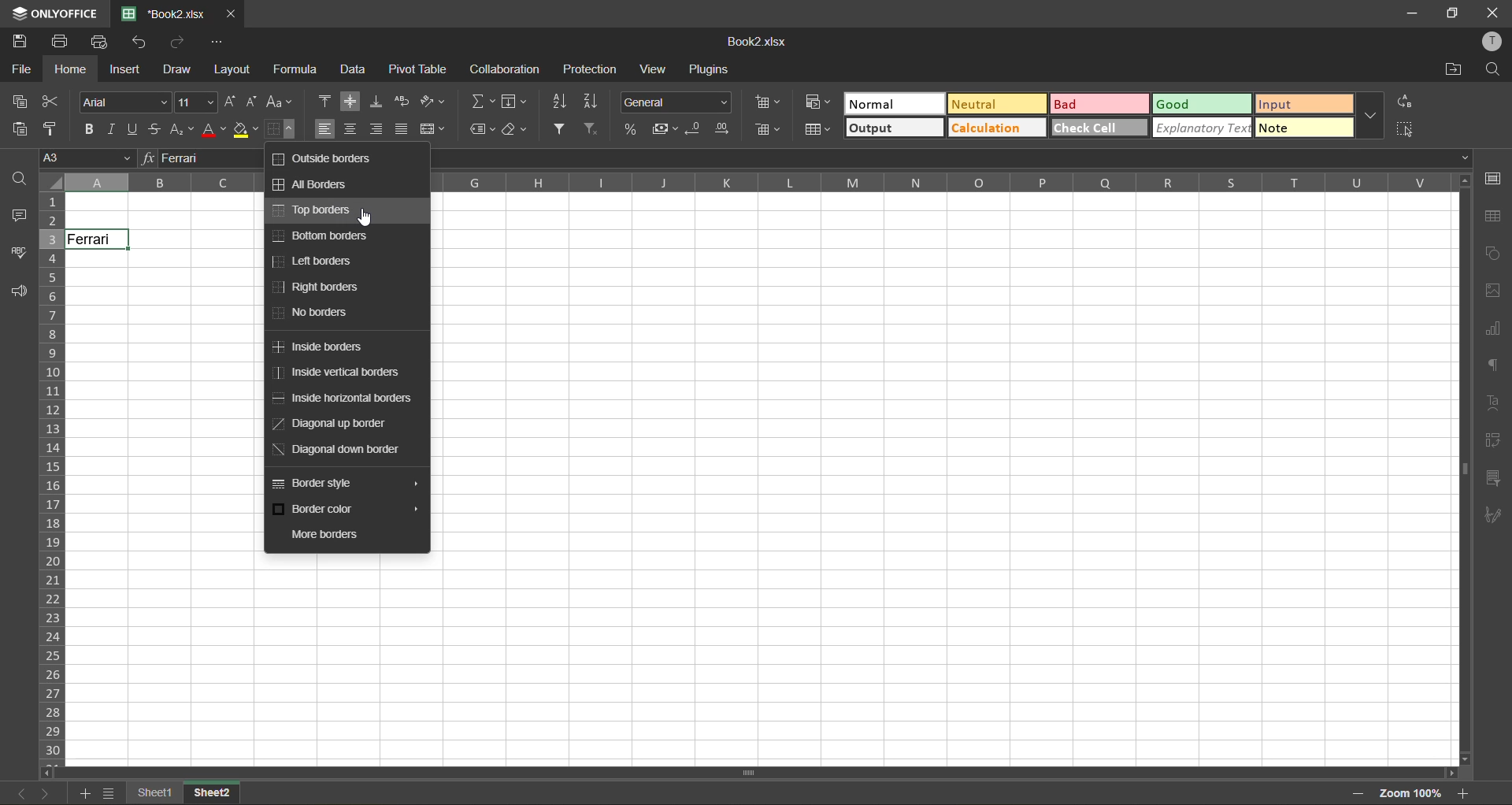  What do you see at coordinates (996, 128) in the screenshot?
I see `calculation` at bounding box center [996, 128].